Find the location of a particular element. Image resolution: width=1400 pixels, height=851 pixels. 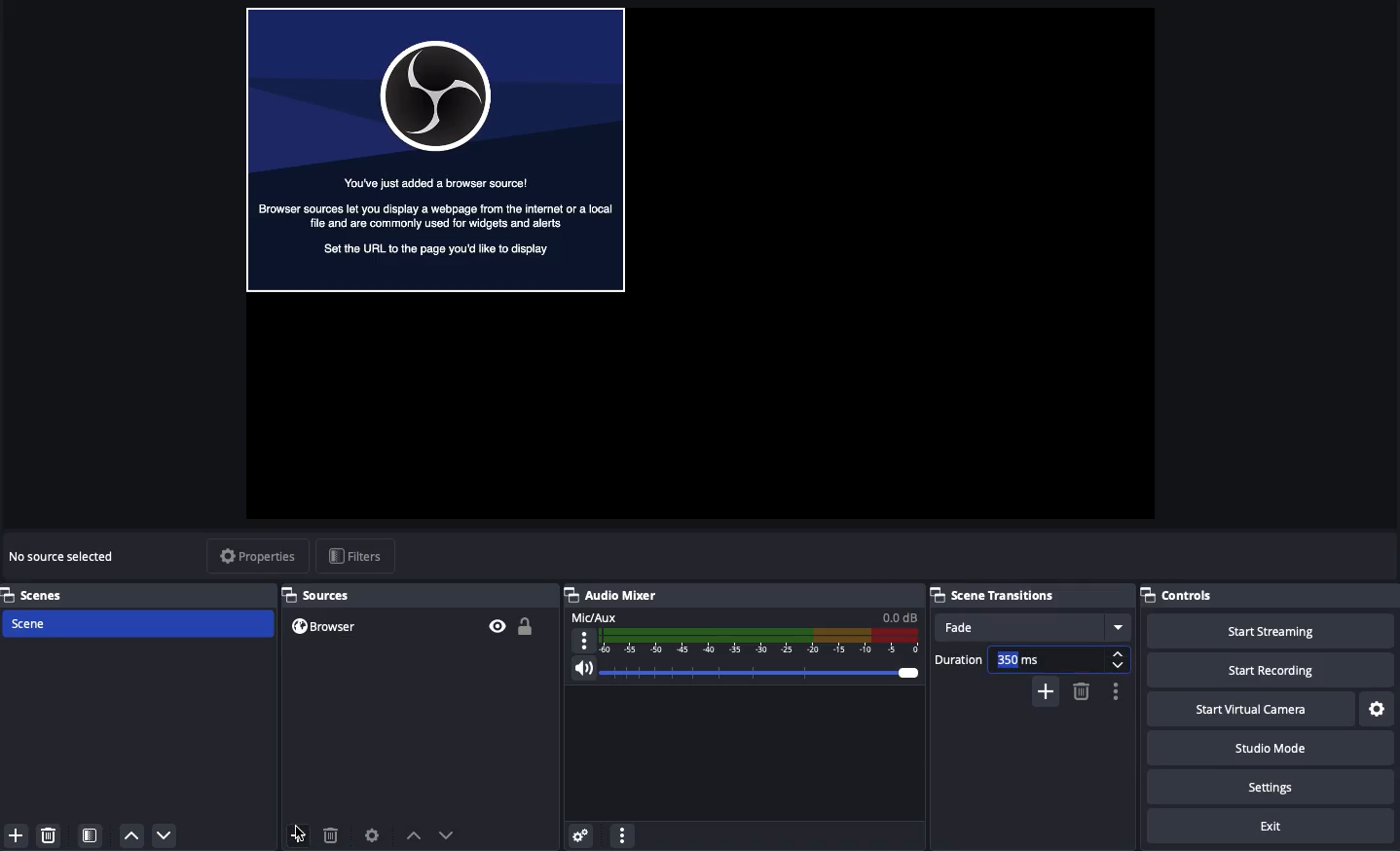

Screen is located at coordinates (699, 263).